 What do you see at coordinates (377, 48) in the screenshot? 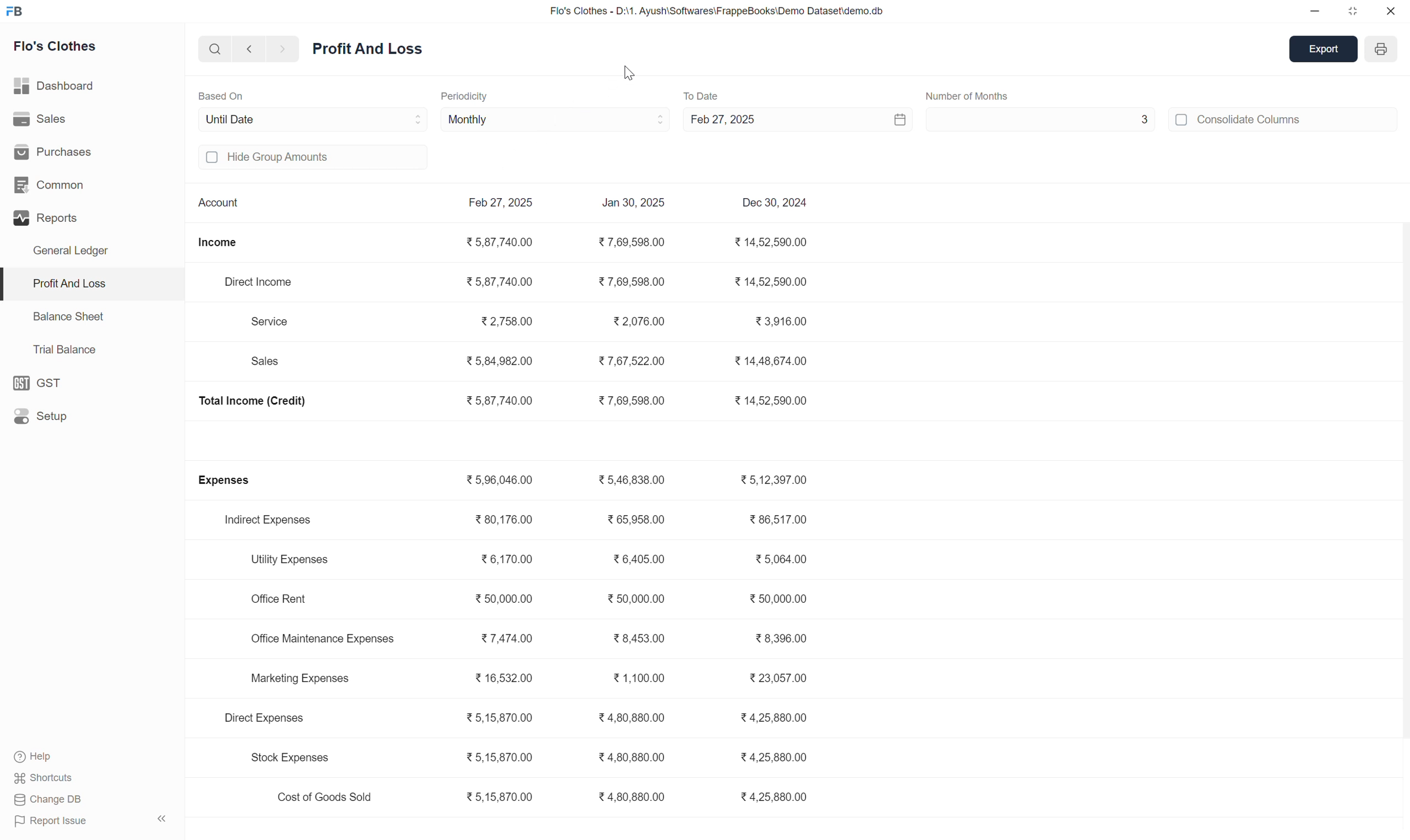
I see `Profit and Loss` at bounding box center [377, 48].